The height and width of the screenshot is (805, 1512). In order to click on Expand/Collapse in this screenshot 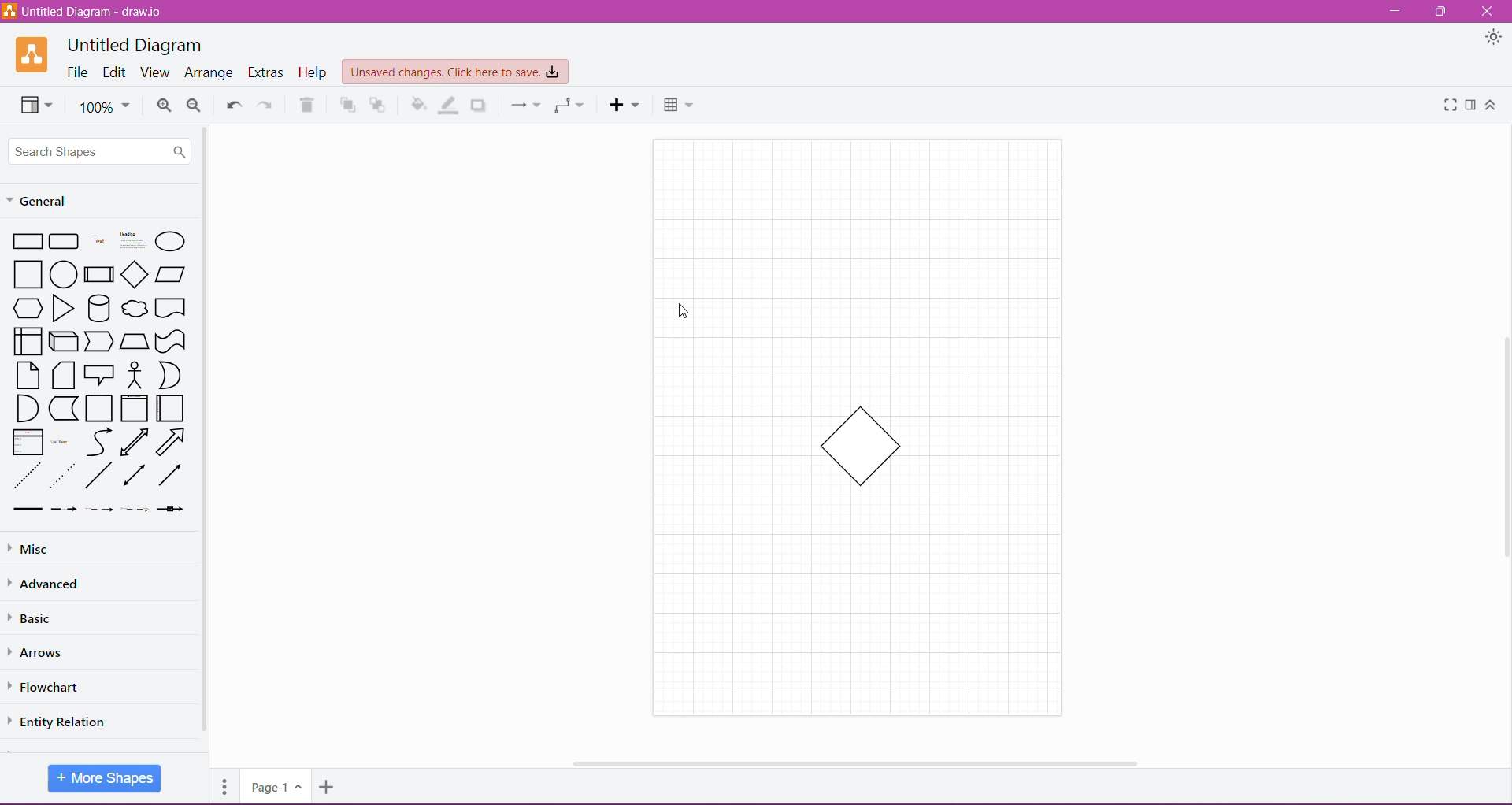, I will do `click(1492, 107)`.